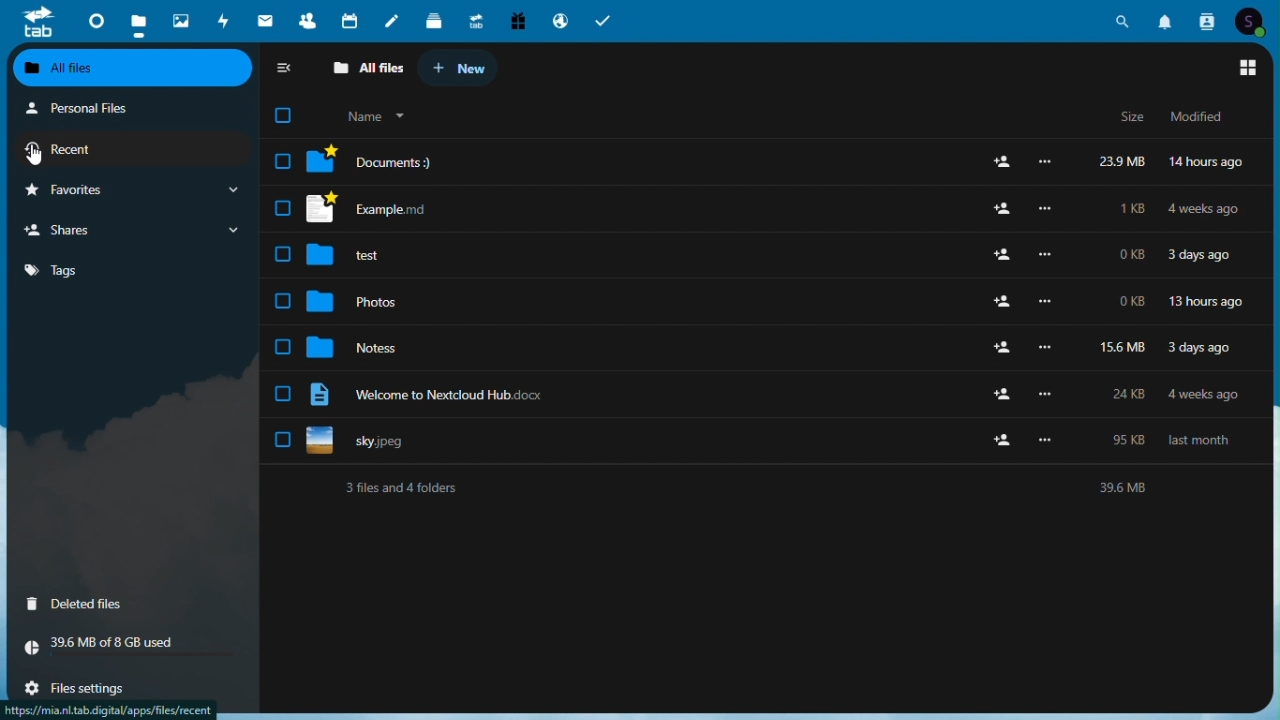  Describe the element at coordinates (282, 440) in the screenshot. I see `checkbox` at that location.